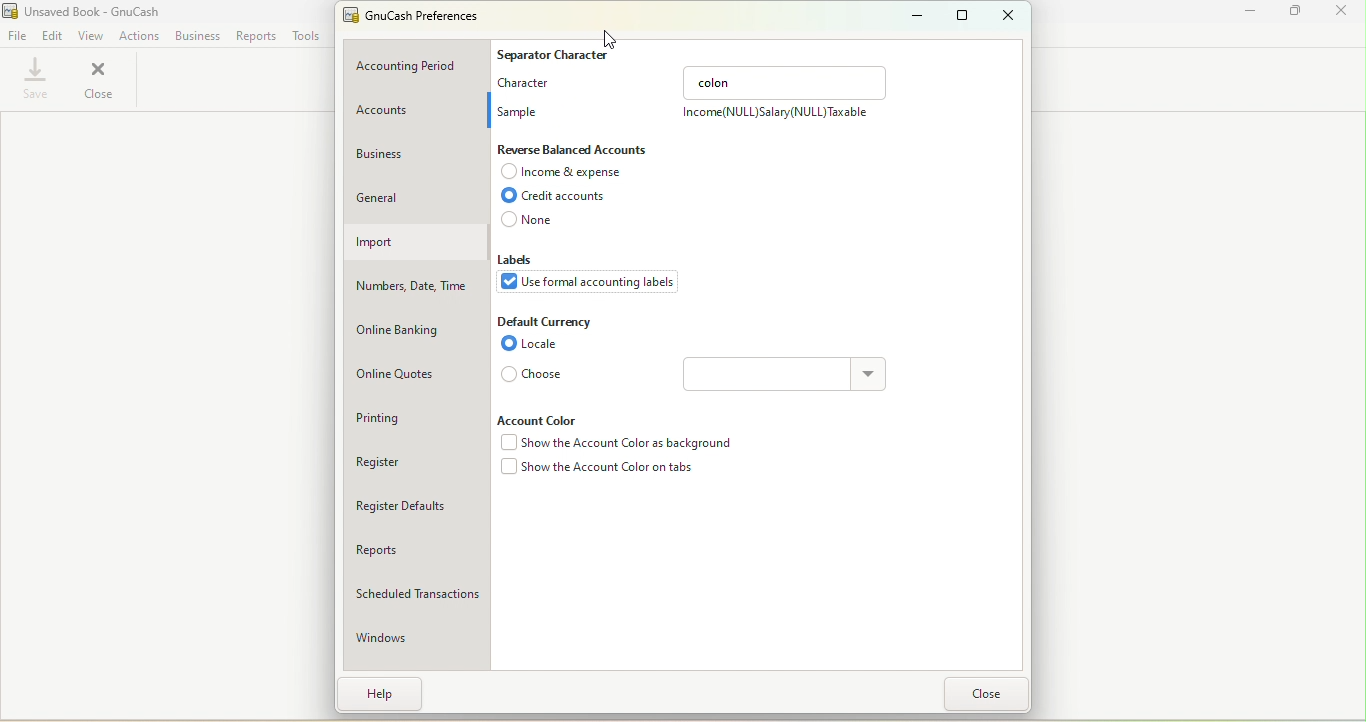 The height and width of the screenshot is (722, 1366). I want to click on Numbers, so click(416, 285).